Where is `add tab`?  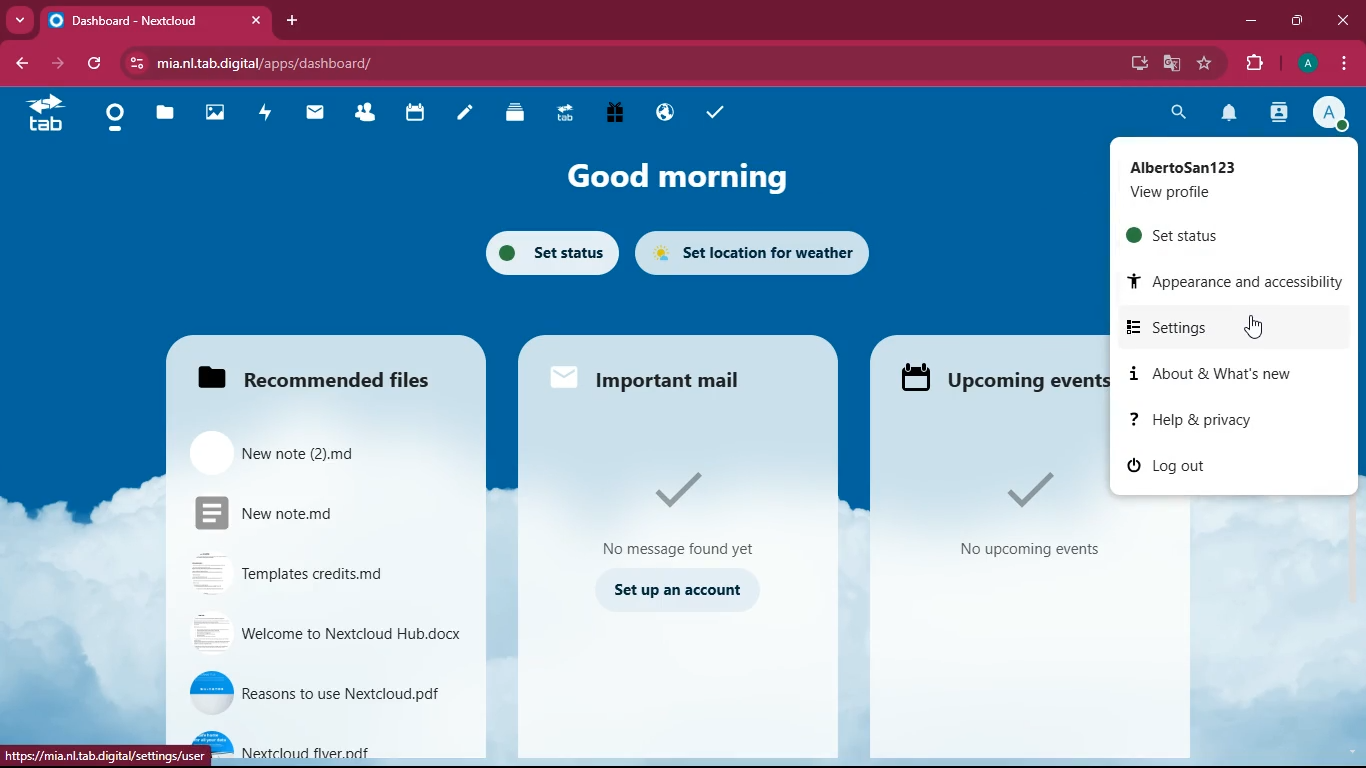 add tab is located at coordinates (293, 20).